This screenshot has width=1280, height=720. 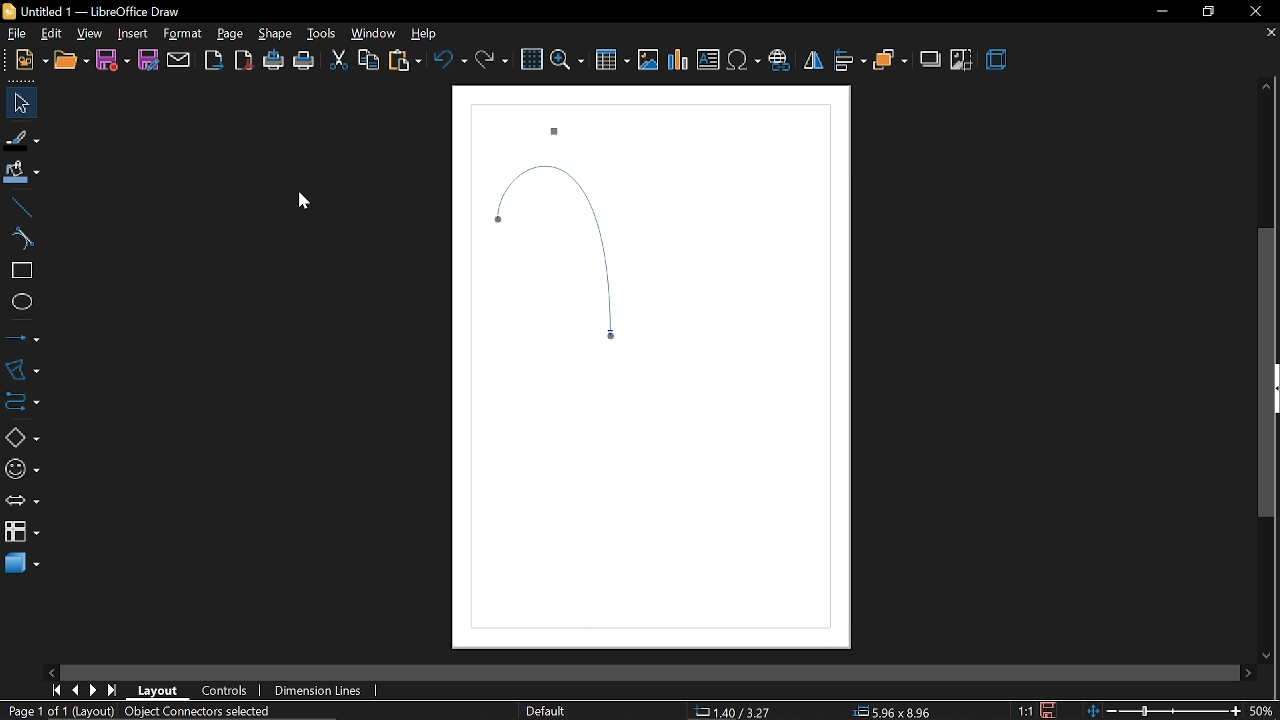 I want to click on current zoom, so click(x=1264, y=711).